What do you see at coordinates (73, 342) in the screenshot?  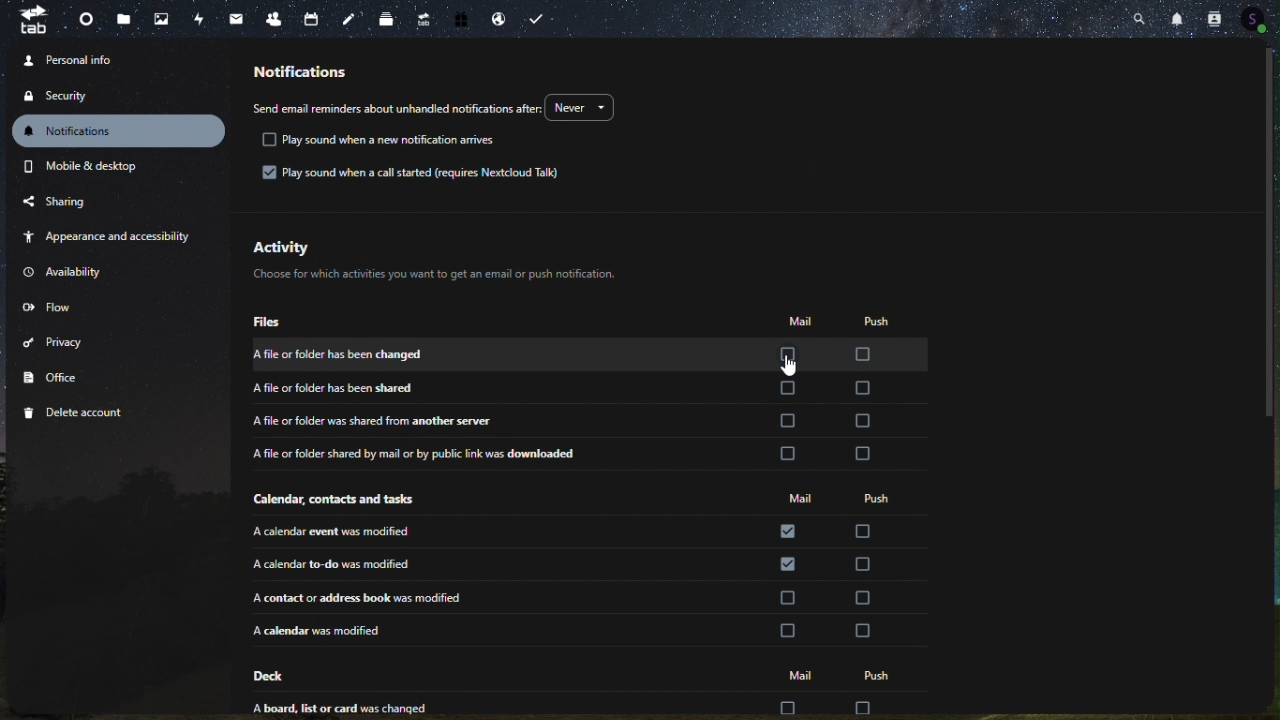 I see `privacy` at bounding box center [73, 342].